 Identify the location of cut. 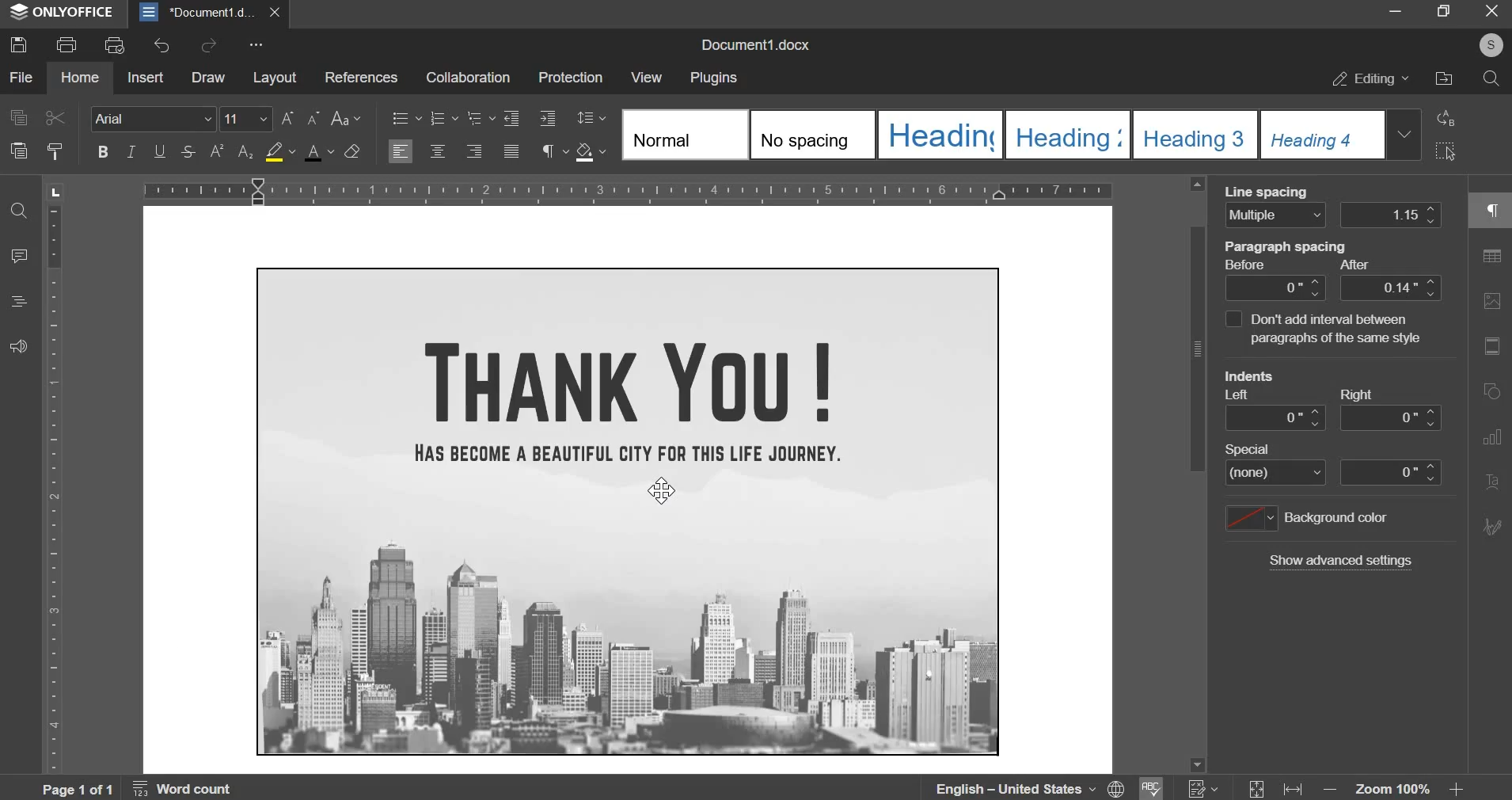
(55, 118).